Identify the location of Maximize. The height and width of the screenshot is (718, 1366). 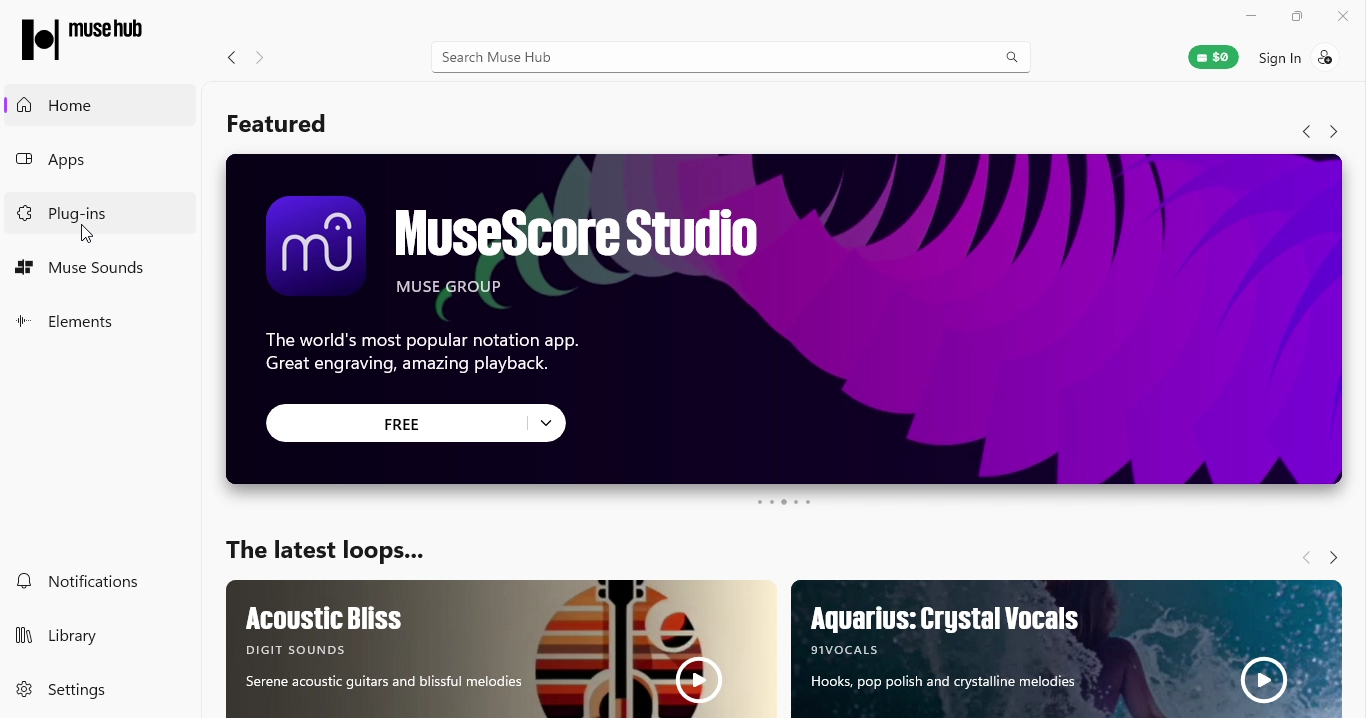
(1290, 17).